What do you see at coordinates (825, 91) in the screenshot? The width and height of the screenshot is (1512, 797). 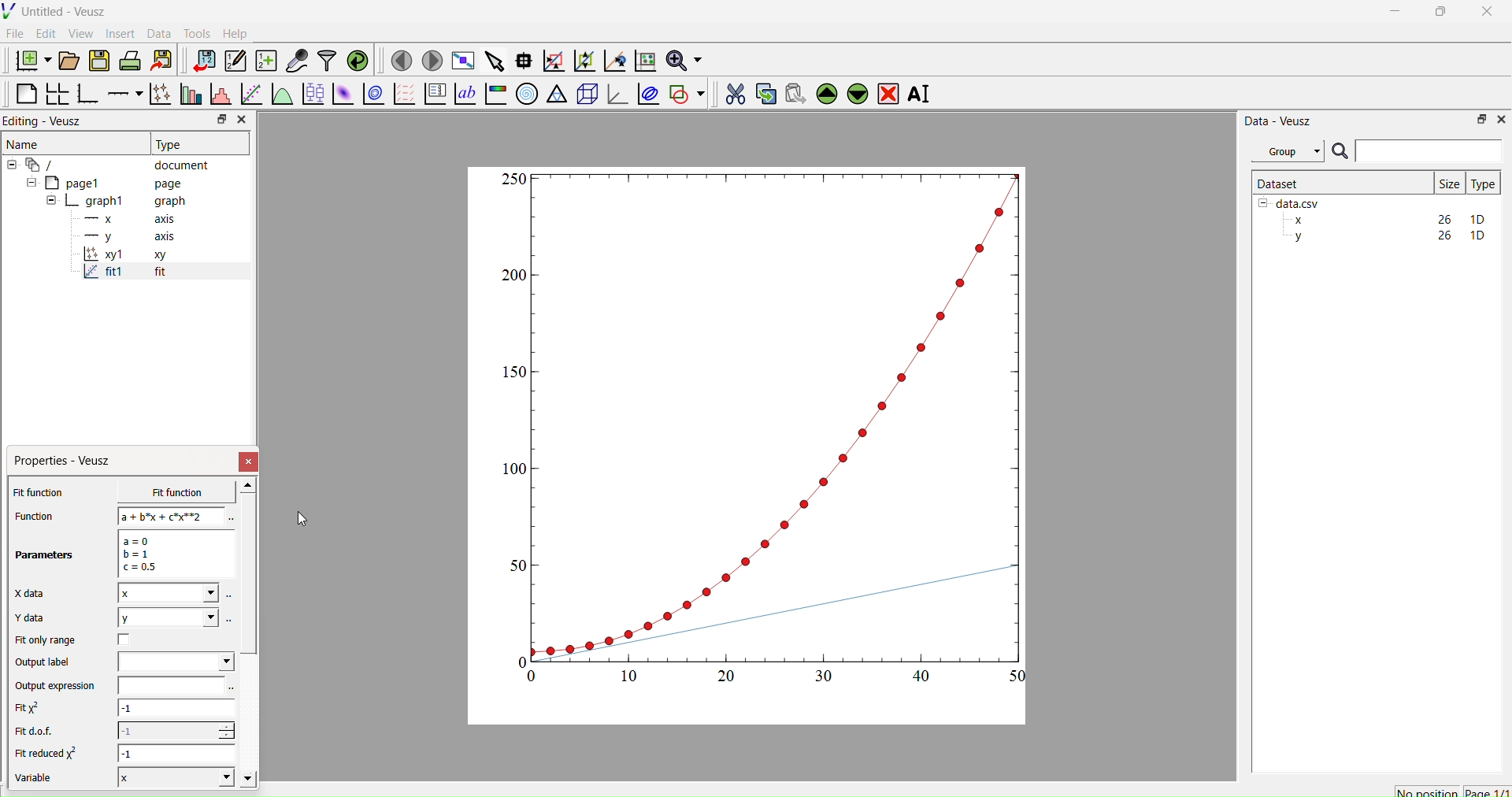 I see `Up` at bounding box center [825, 91].